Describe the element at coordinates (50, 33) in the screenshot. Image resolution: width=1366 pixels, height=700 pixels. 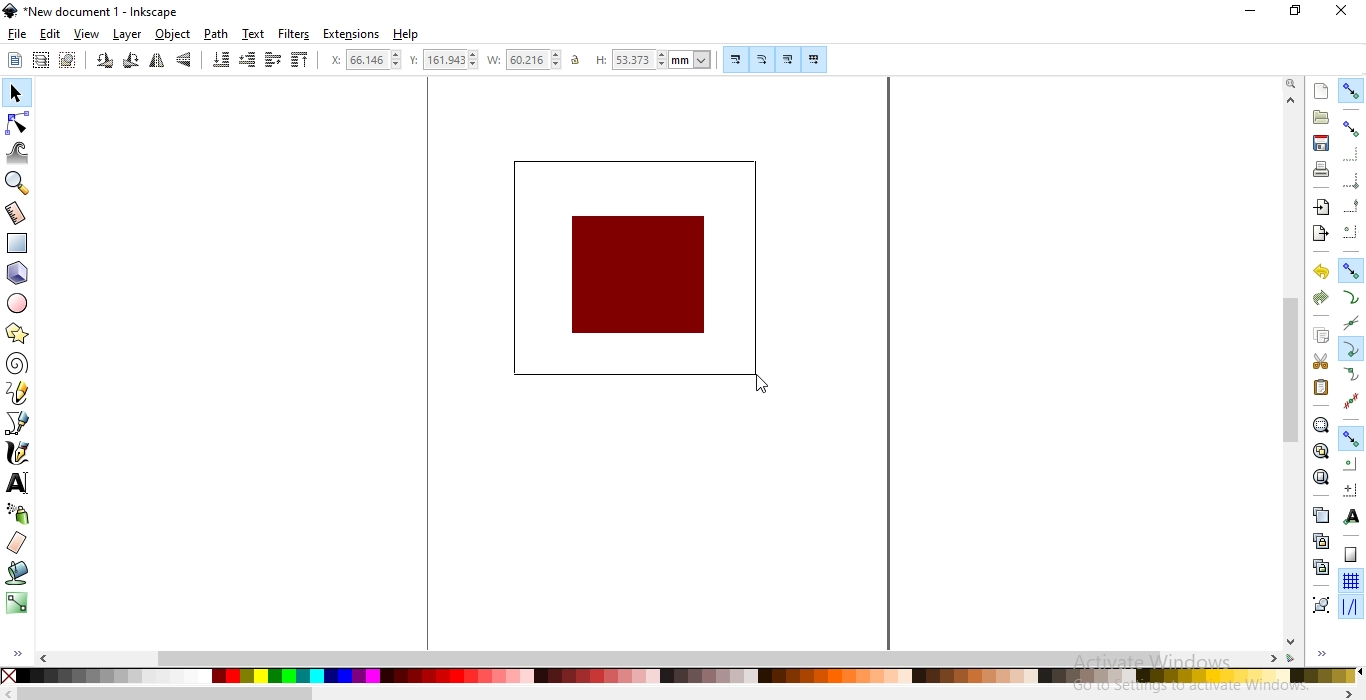
I see `edit` at that location.